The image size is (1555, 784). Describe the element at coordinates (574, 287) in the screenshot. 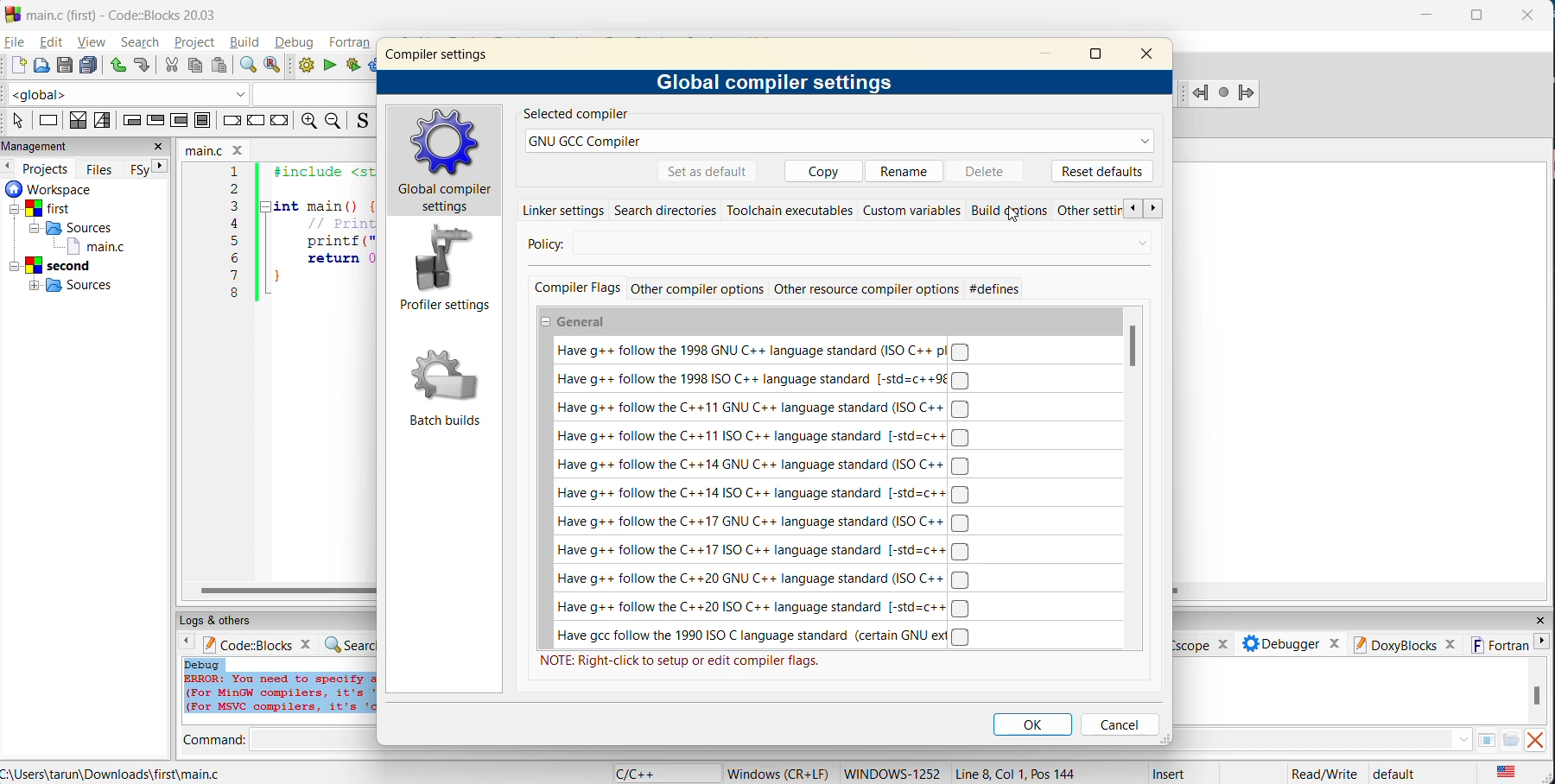

I see `compiler flags` at that location.